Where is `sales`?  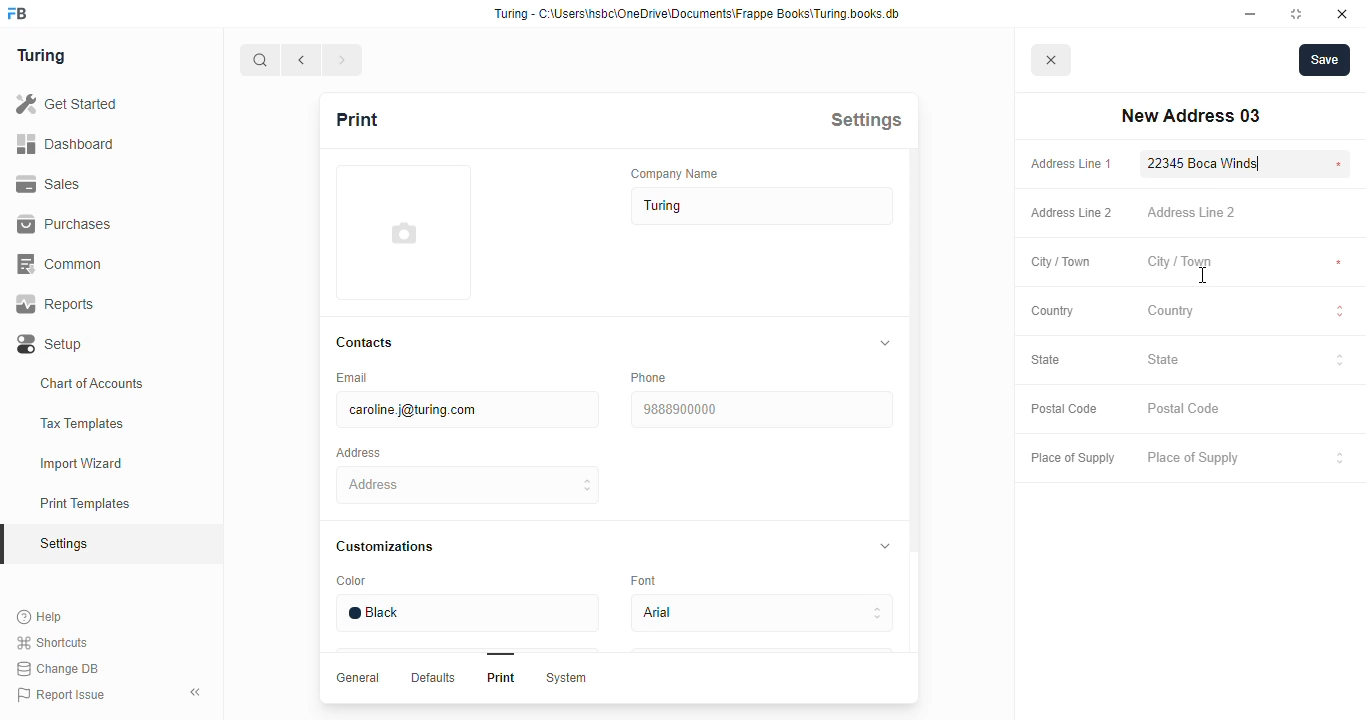
sales is located at coordinates (52, 184).